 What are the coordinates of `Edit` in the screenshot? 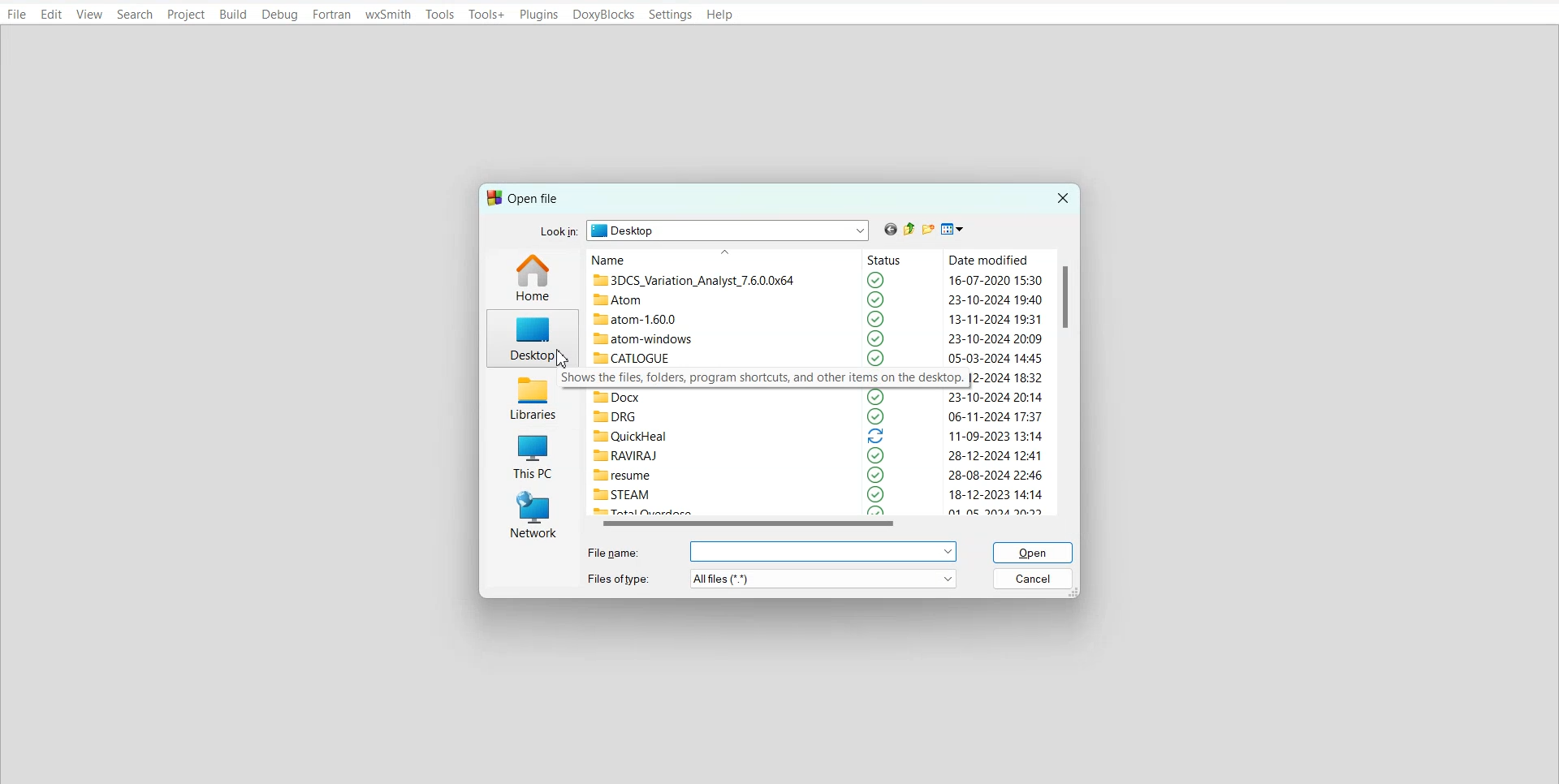 It's located at (51, 14).